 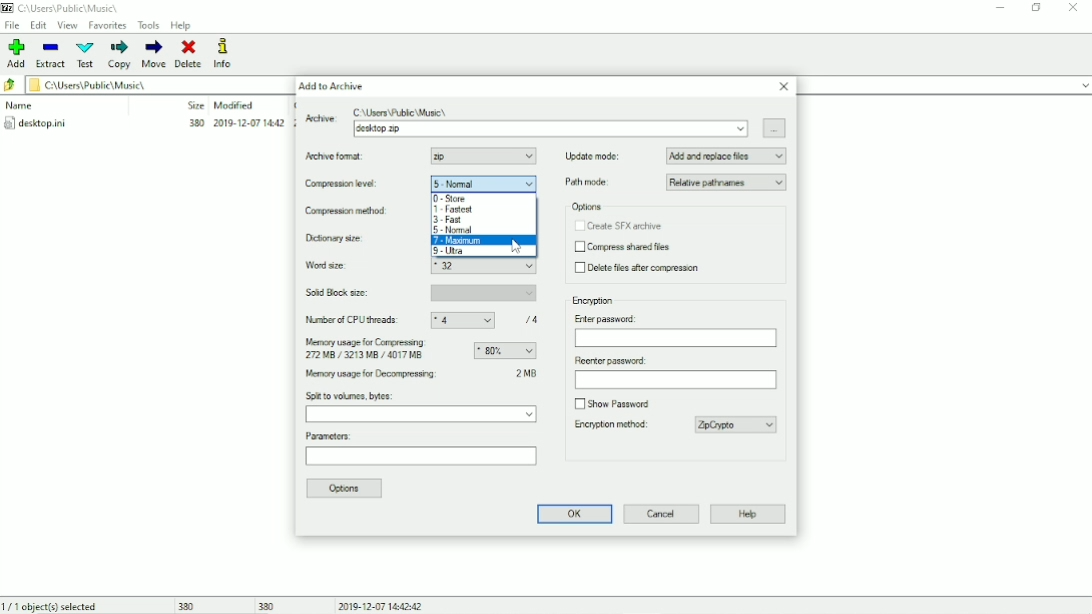 I want to click on Close, so click(x=1074, y=7).